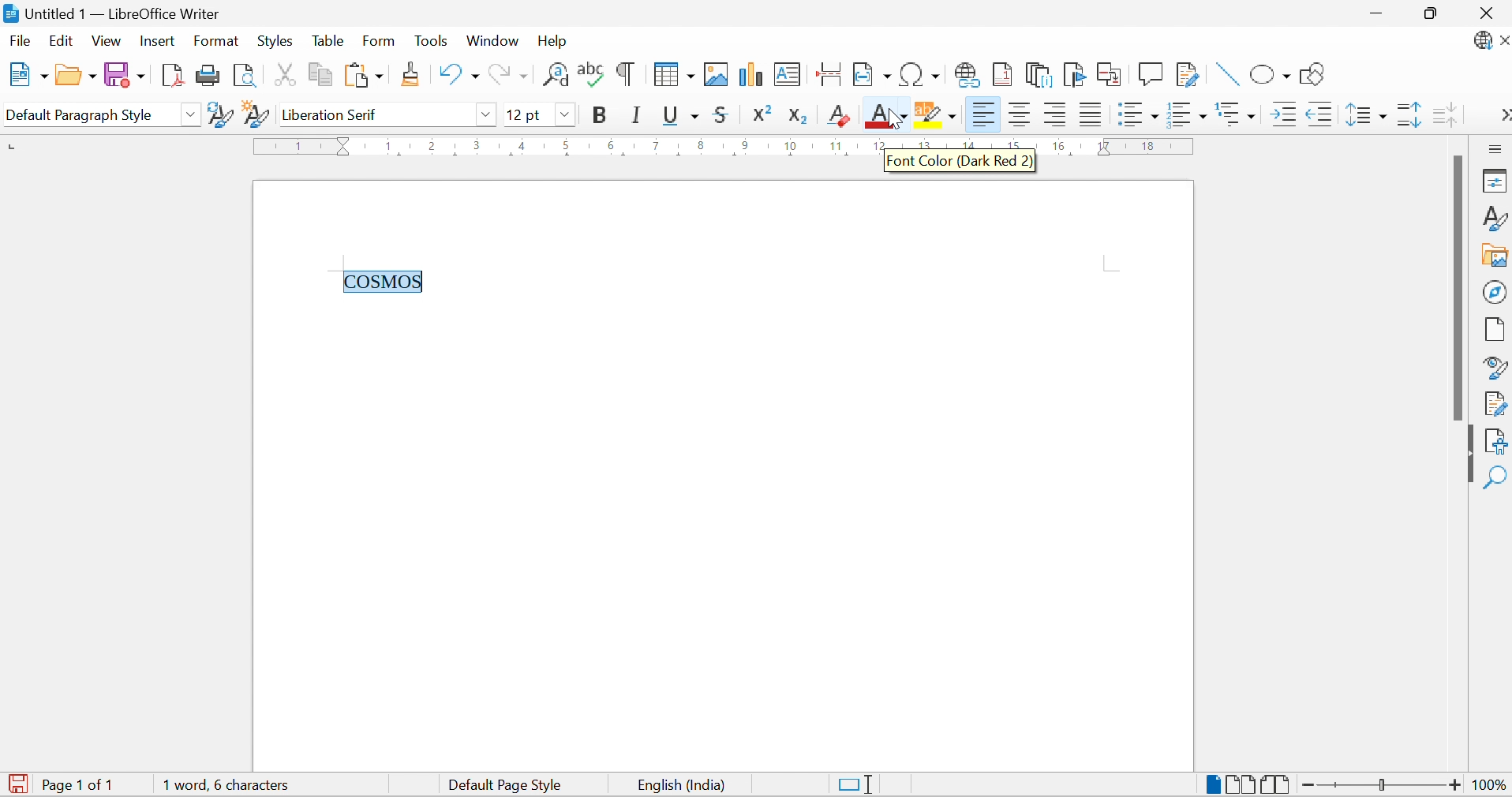 This screenshot has width=1512, height=797. What do you see at coordinates (485, 114) in the screenshot?
I see `Drop Down` at bounding box center [485, 114].